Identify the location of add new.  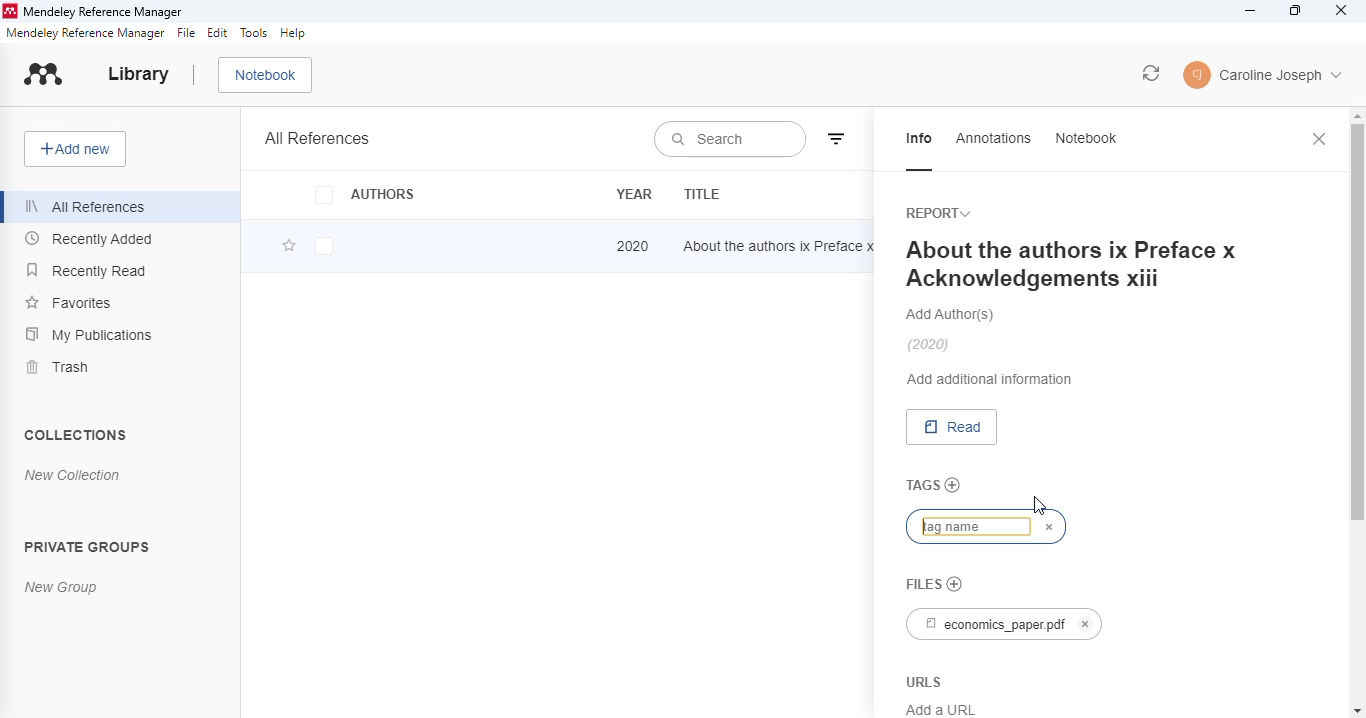
(75, 149).